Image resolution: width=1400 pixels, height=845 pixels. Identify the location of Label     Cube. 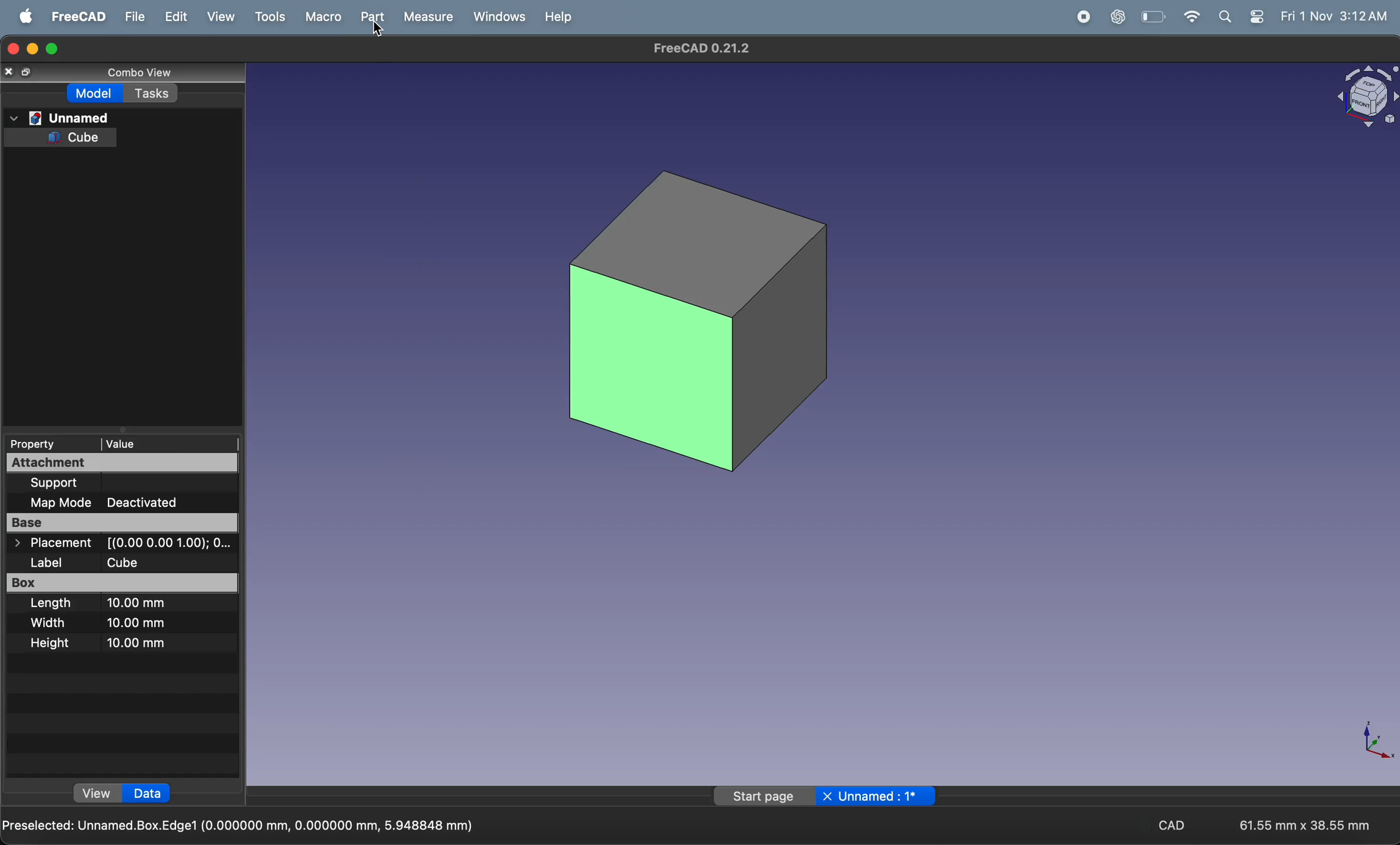
(99, 562).